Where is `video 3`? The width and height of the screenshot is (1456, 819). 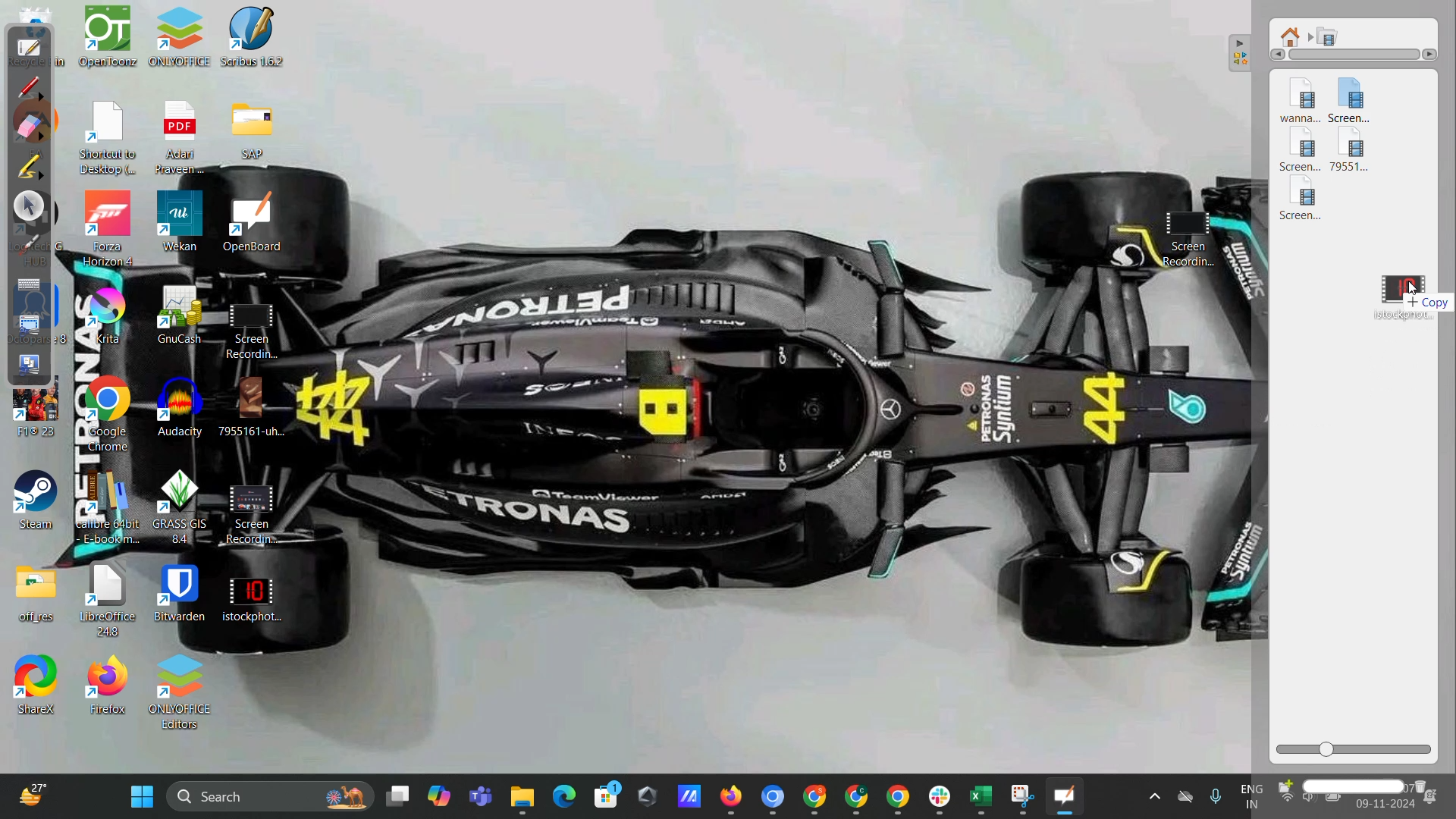
video 3 is located at coordinates (1300, 155).